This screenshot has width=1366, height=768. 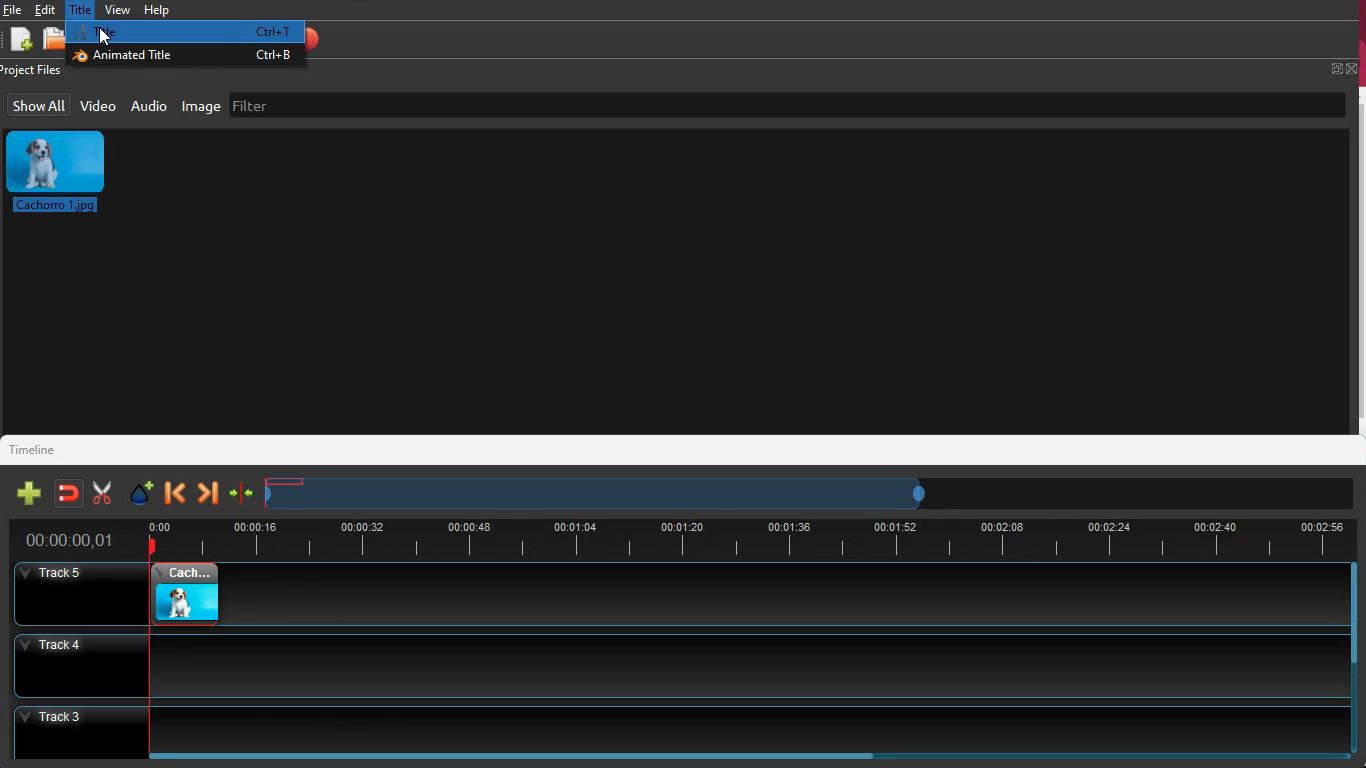 I want to click on video, so click(x=98, y=105).